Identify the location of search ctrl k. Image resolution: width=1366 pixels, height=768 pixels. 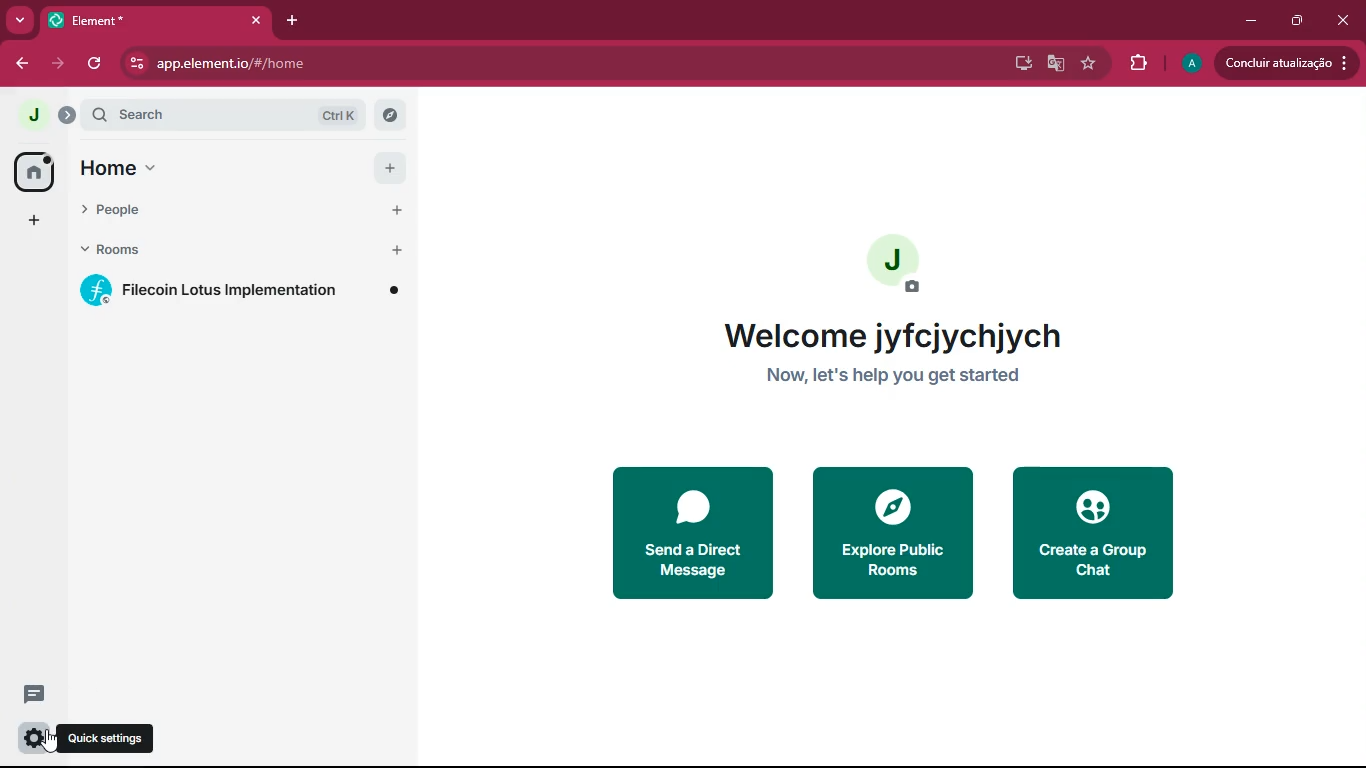
(236, 117).